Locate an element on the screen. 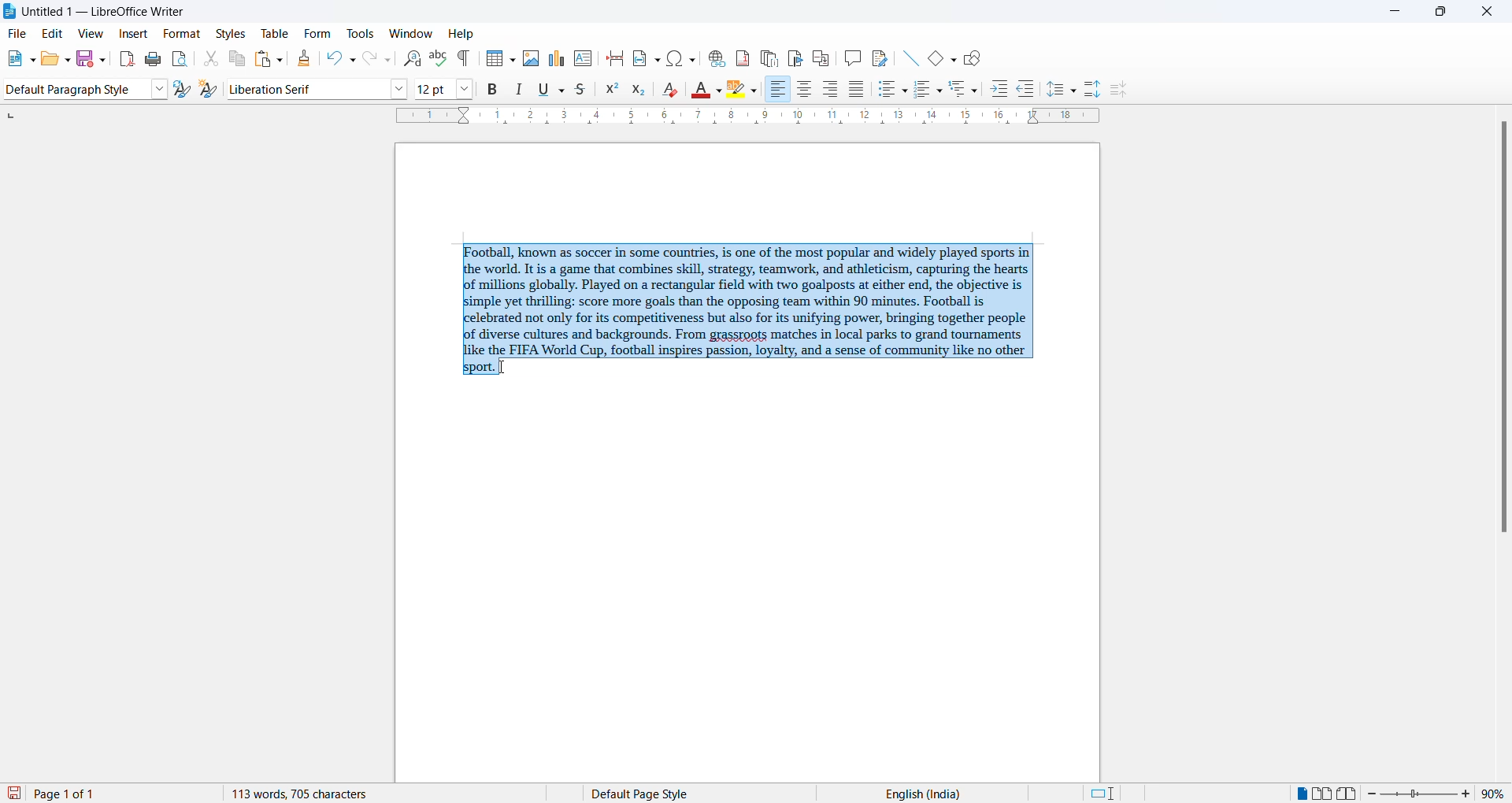  character highlighting options is located at coordinates (755, 91).